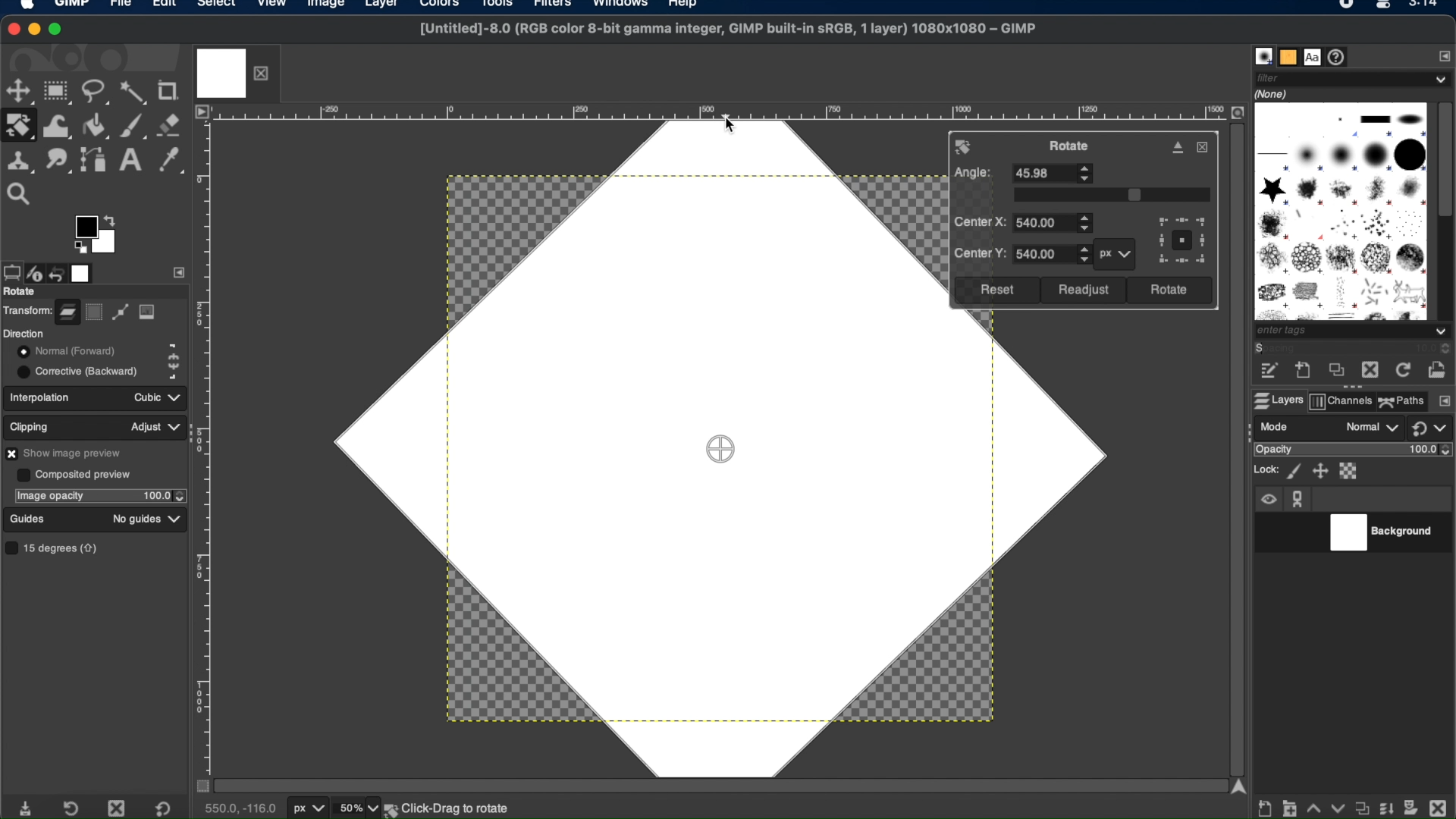 This screenshot has height=819, width=1456. I want to click on layer, so click(379, 6).